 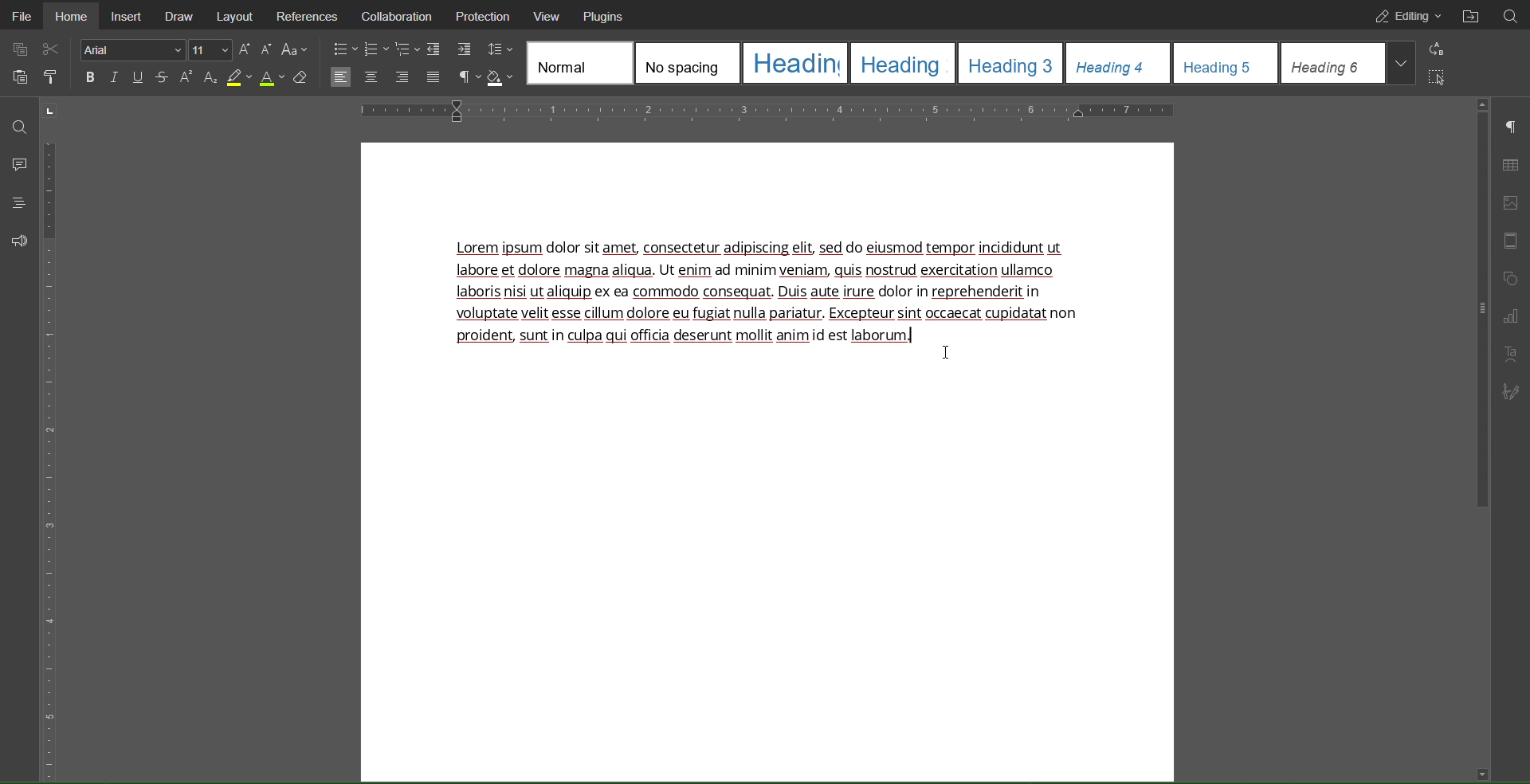 I want to click on Selection, so click(x=1437, y=75).